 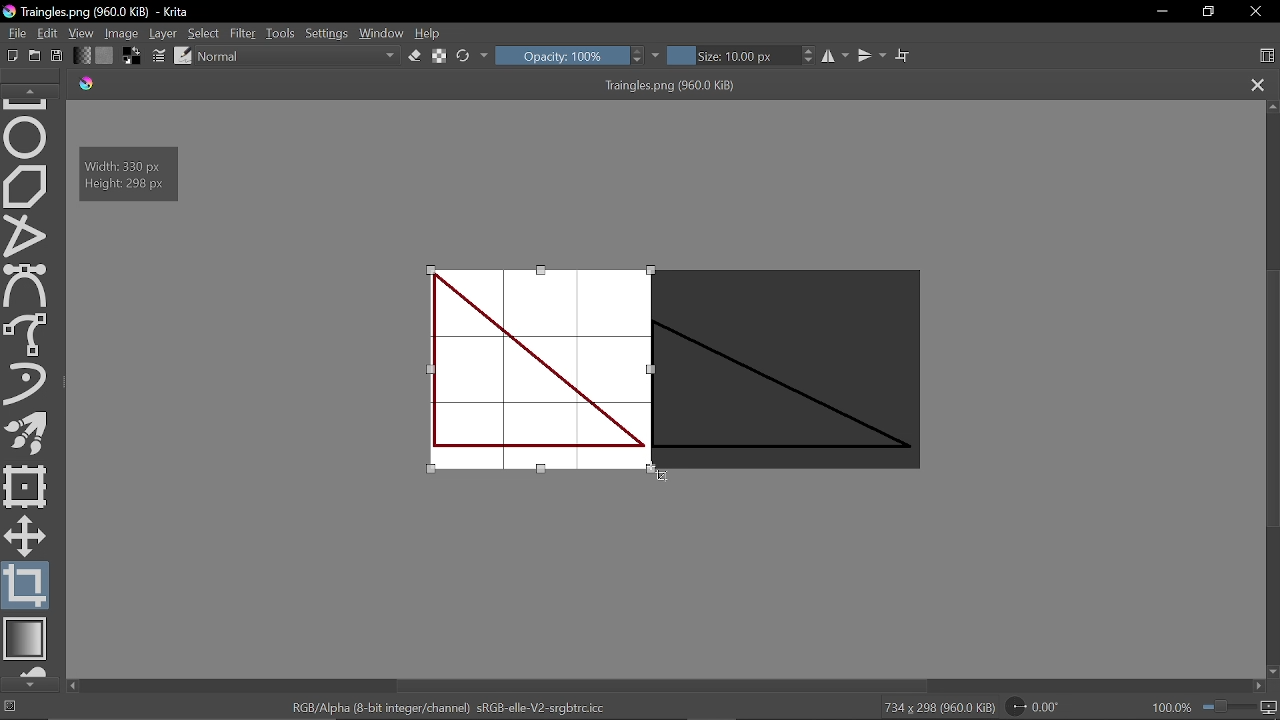 I want to click on Window, so click(x=382, y=33).